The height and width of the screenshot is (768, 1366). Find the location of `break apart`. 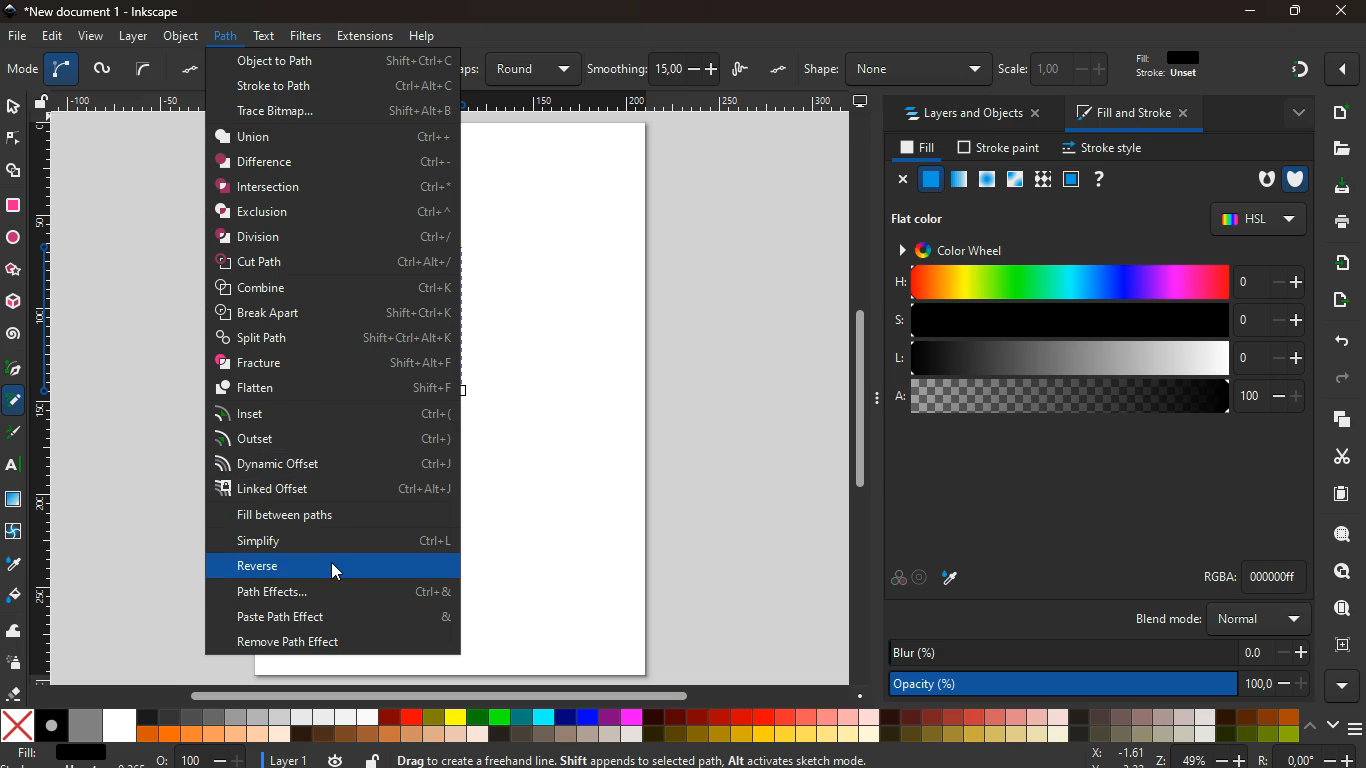

break apart is located at coordinates (334, 313).